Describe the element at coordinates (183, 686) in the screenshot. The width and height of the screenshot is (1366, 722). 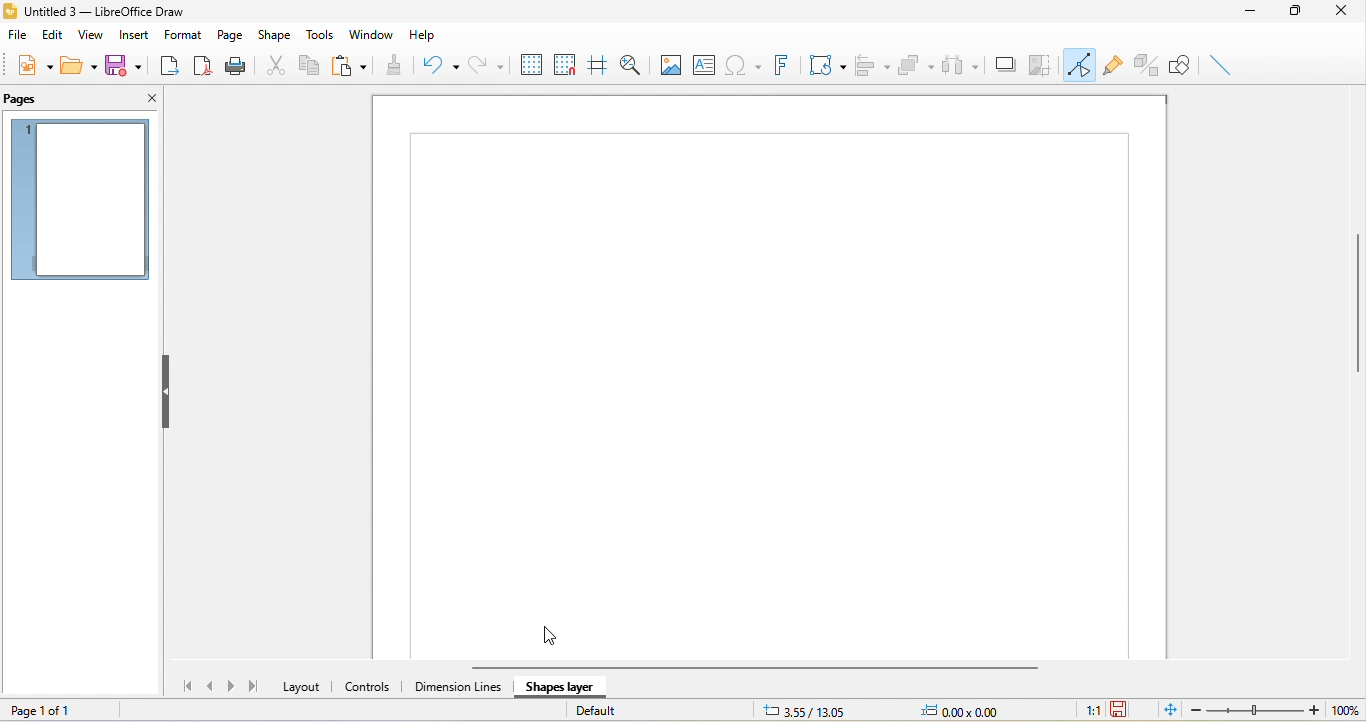
I see `first page` at that location.